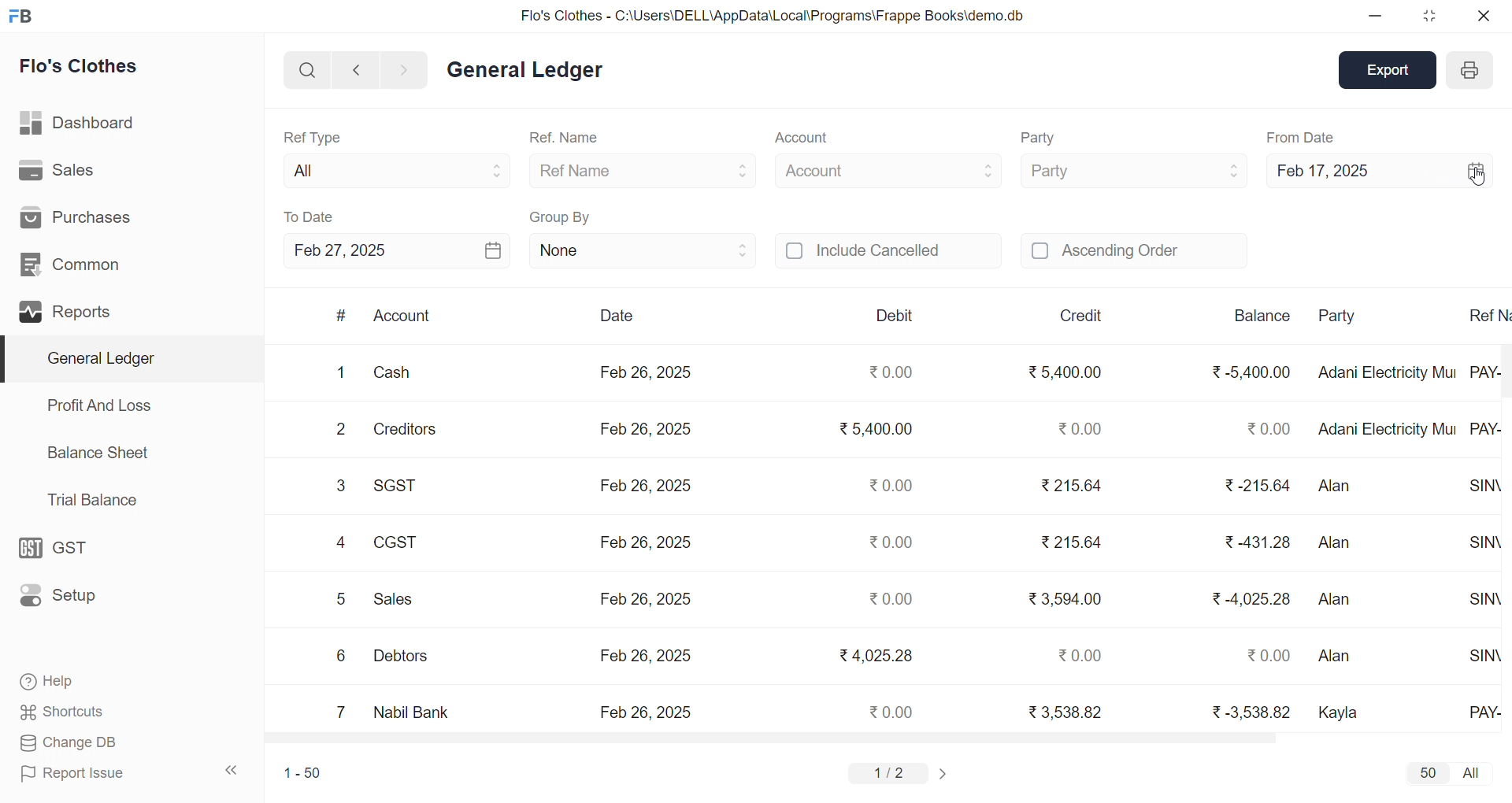 This screenshot has height=803, width=1512. I want to click on PRINT, so click(1469, 72).